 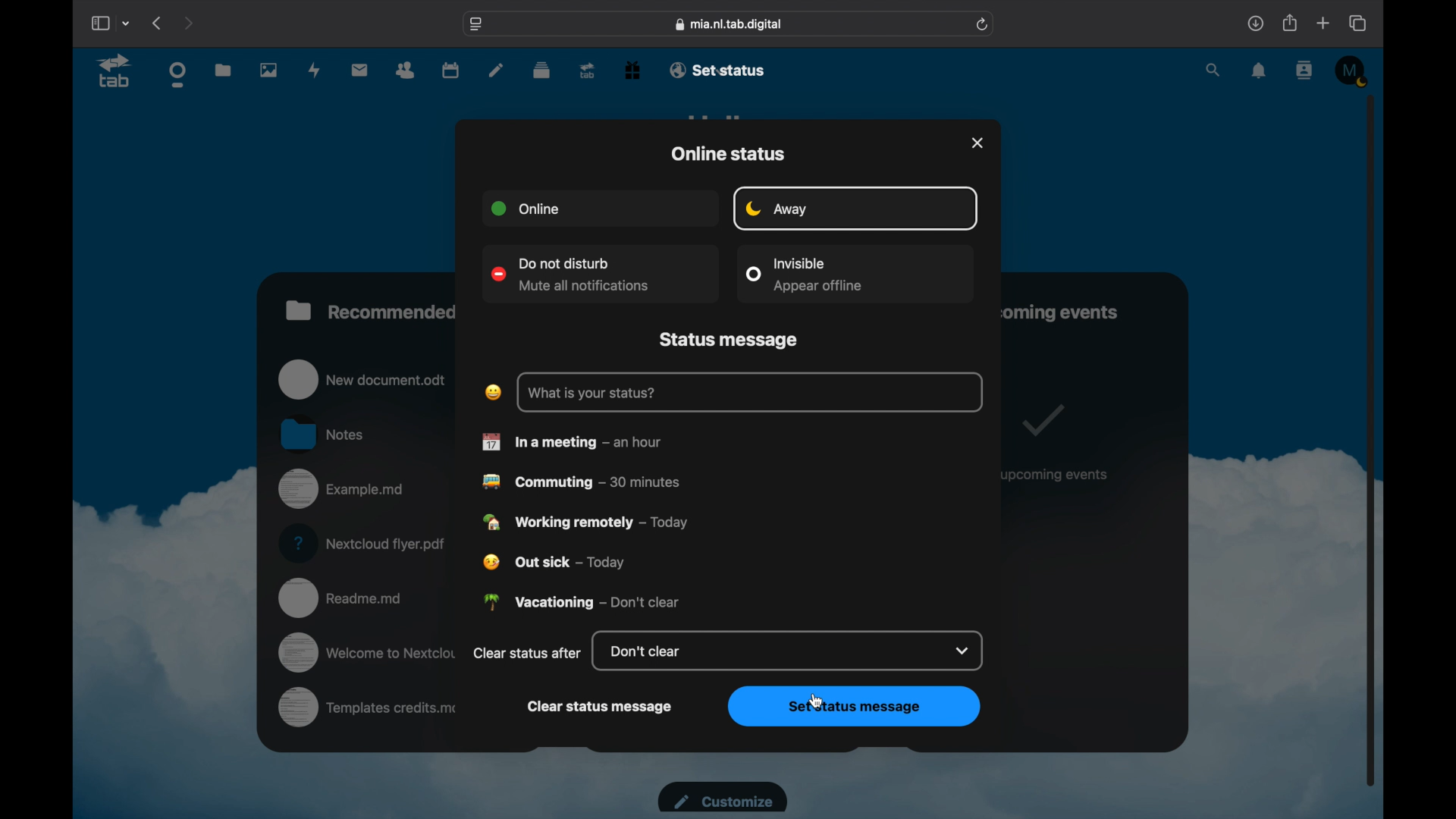 What do you see at coordinates (542, 70) in the screenshot?
I see `deck` at bounding box center [542, 70].